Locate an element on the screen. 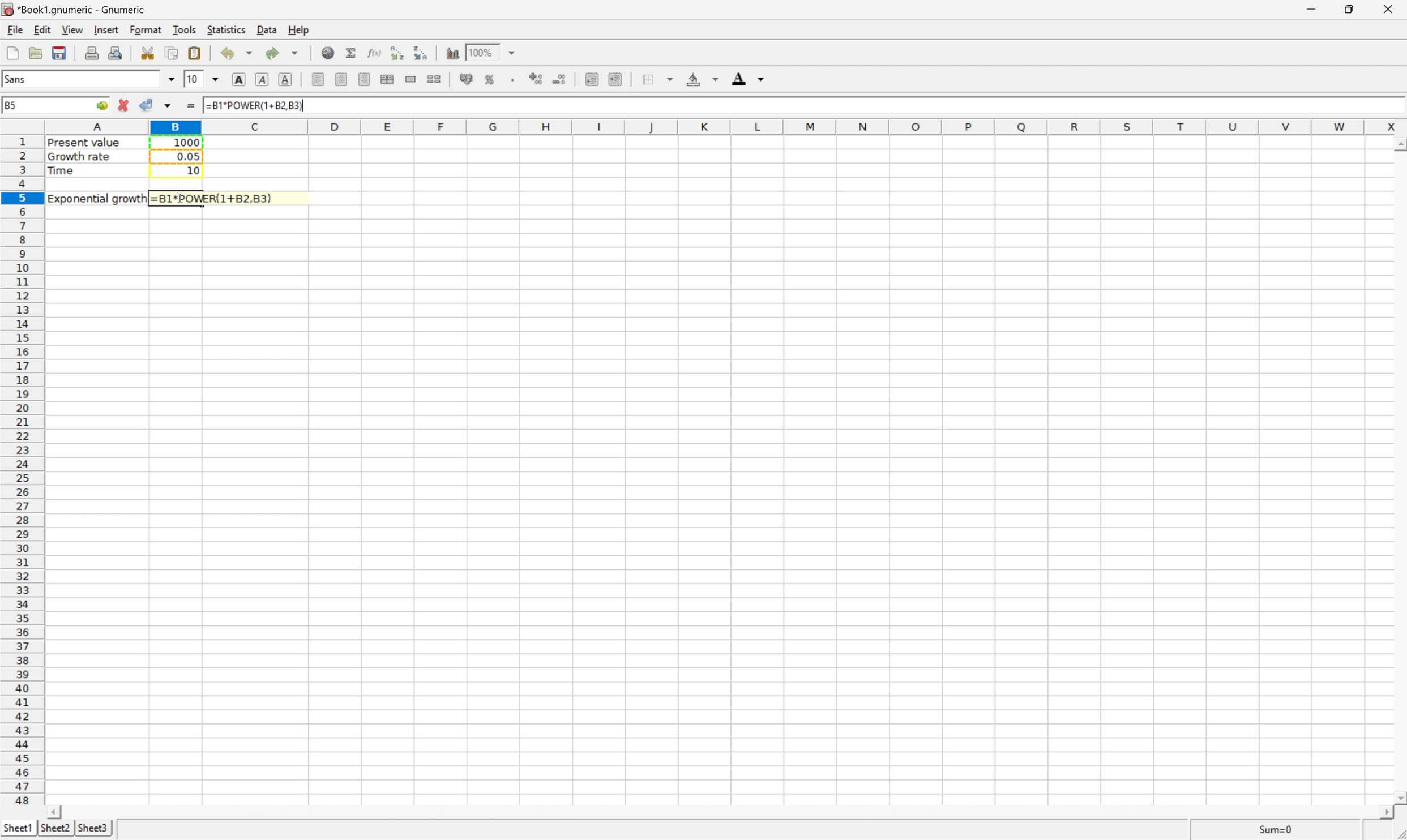 Image resolution: width=1407 pixels, height=840 pixels. Print the current file is located at coordinates (92, 53).